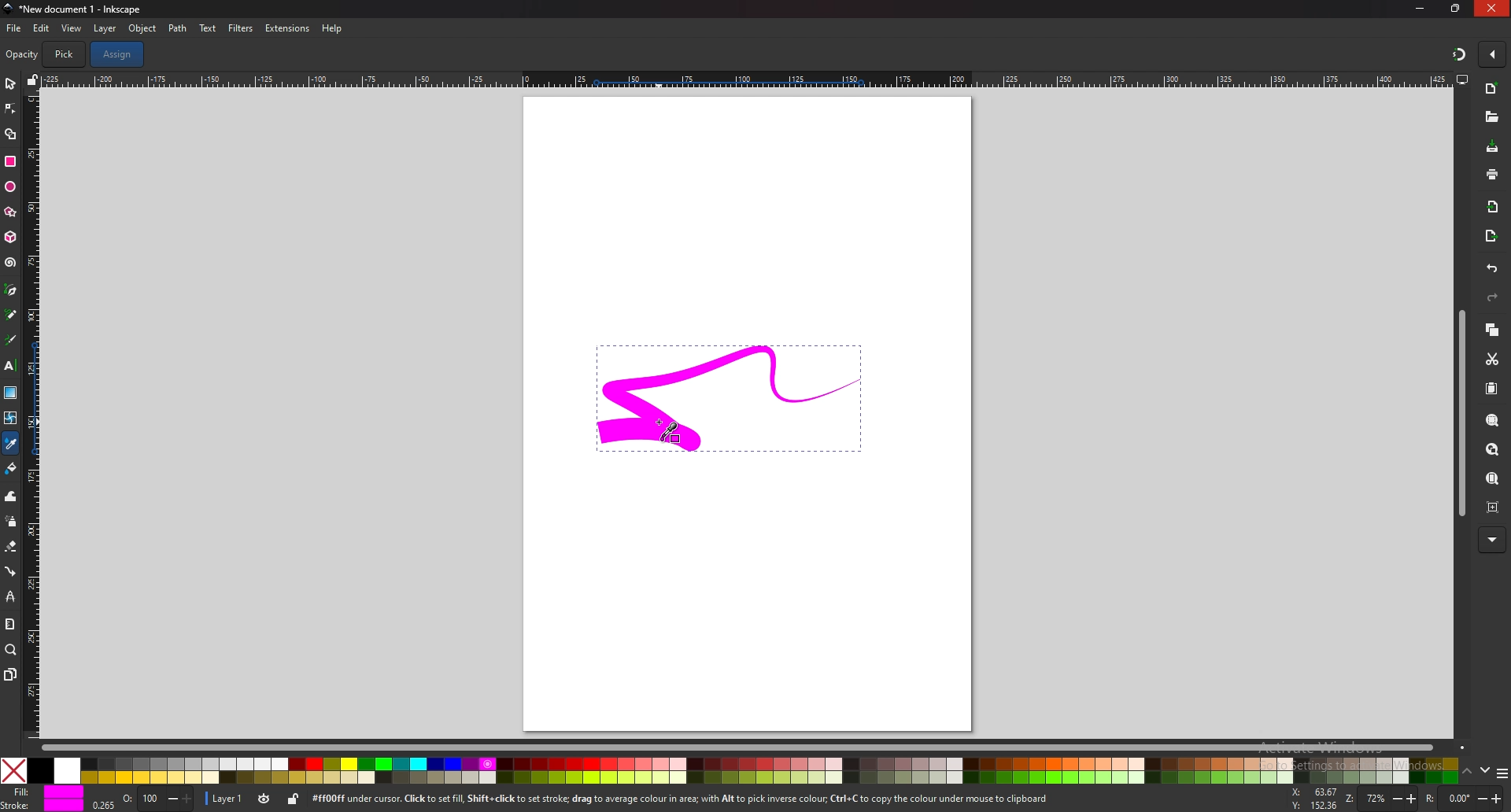  I want to click on zoom center page, so click(1492, 480).